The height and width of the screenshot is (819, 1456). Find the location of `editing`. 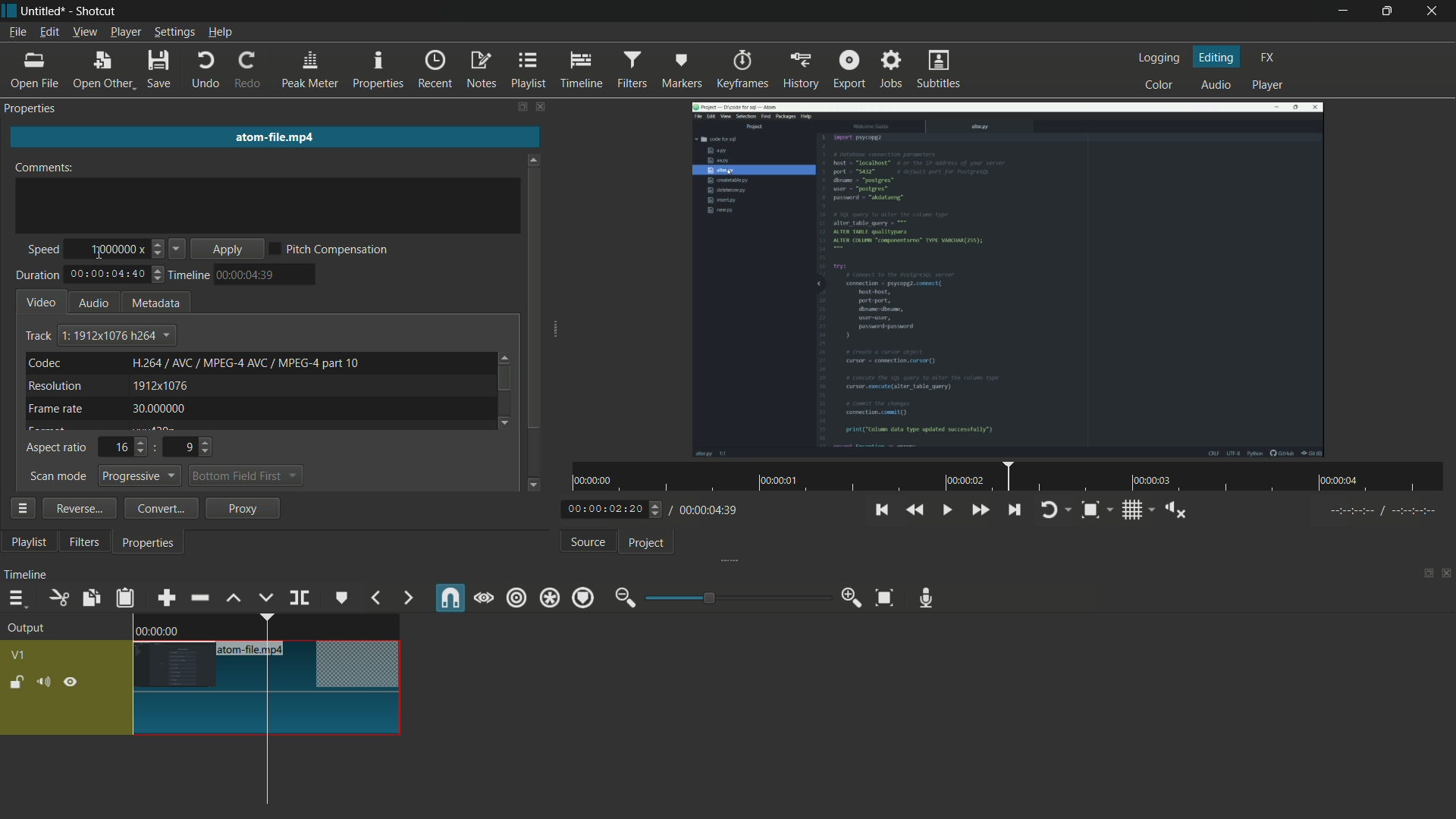

editing is located at coordinates (1218, 58).